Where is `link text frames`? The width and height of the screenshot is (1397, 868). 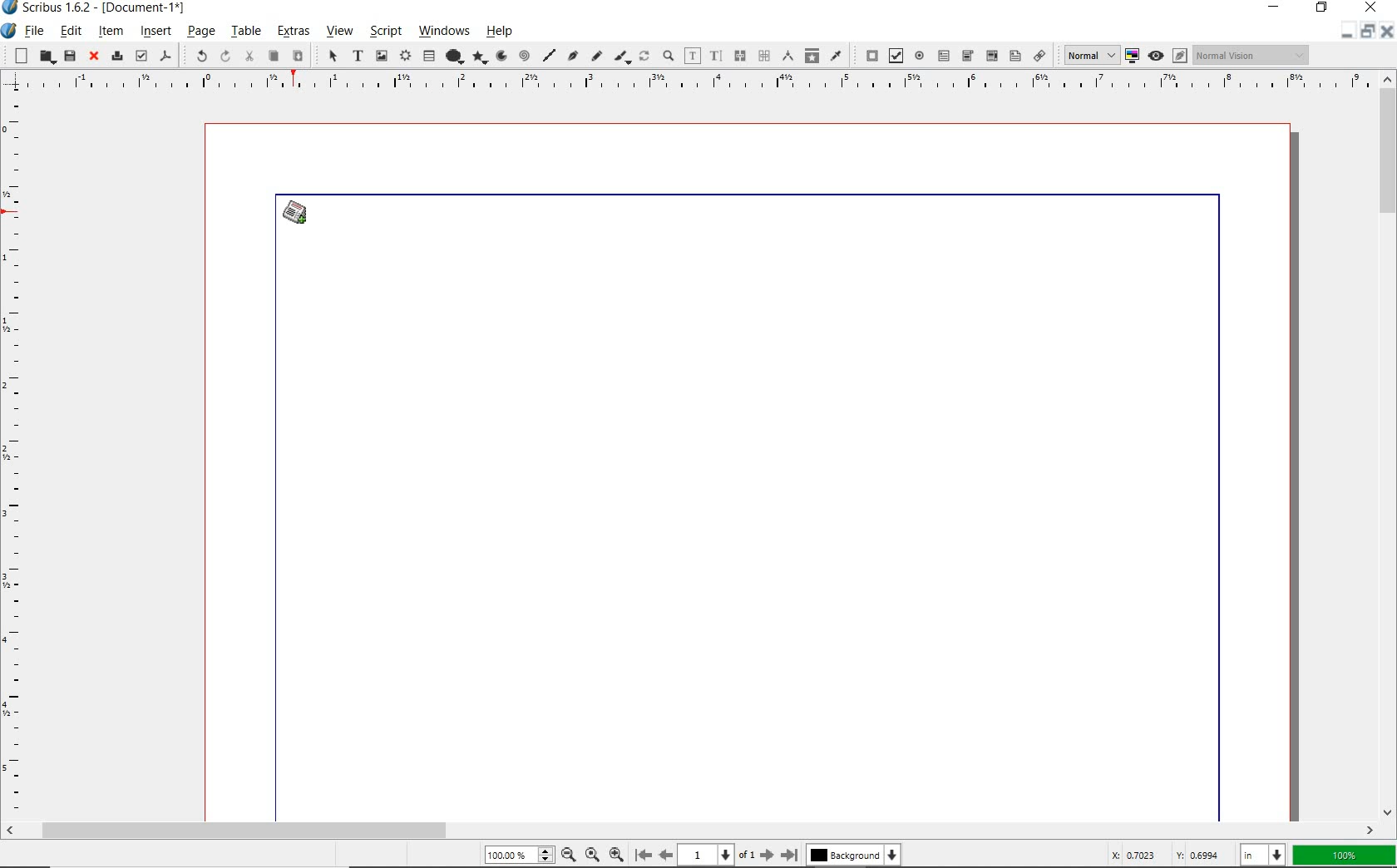
link text frames is located at coordinates (739, 56).